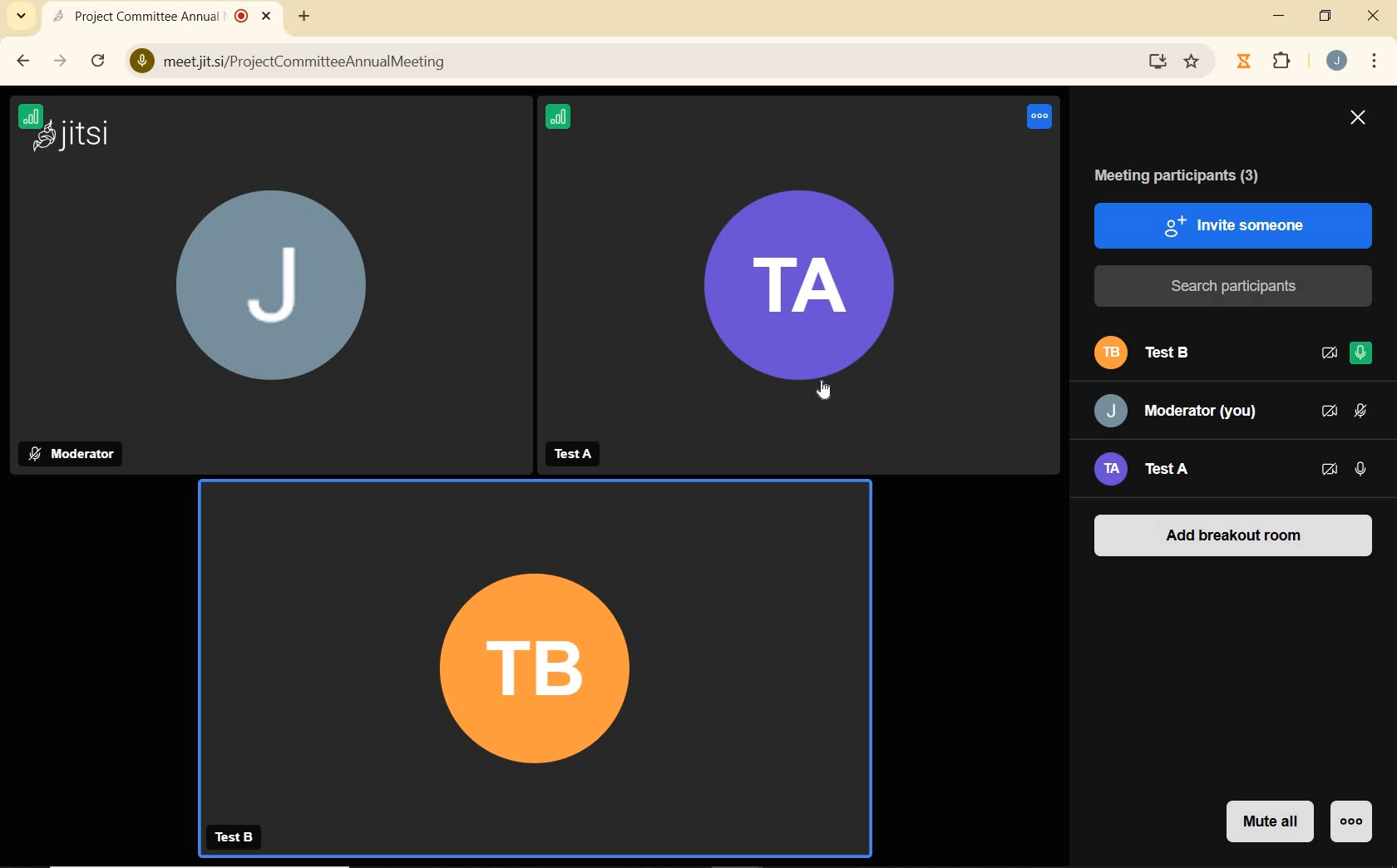 The width and height of the screenshot is (1397, 868). I want to click on Test A, so click(1169, 472).